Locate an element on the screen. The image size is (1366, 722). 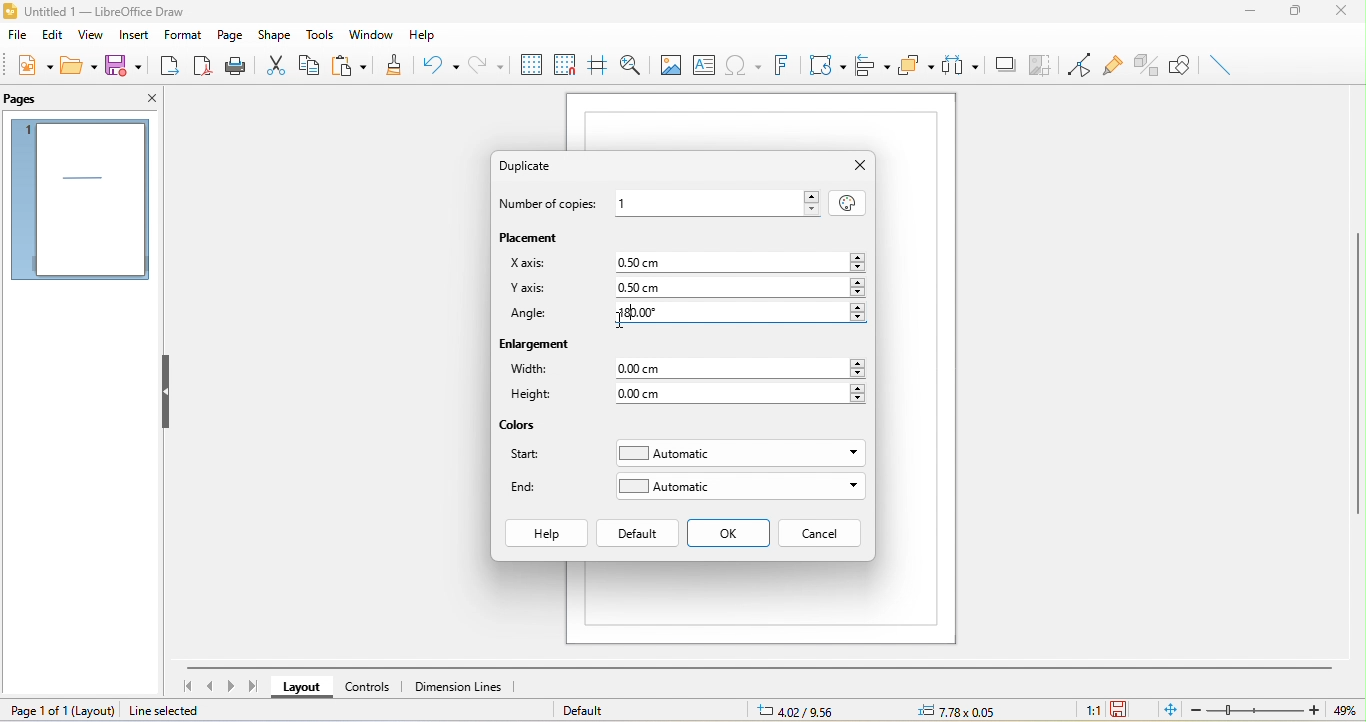
export is located at coordinates (172, 68).